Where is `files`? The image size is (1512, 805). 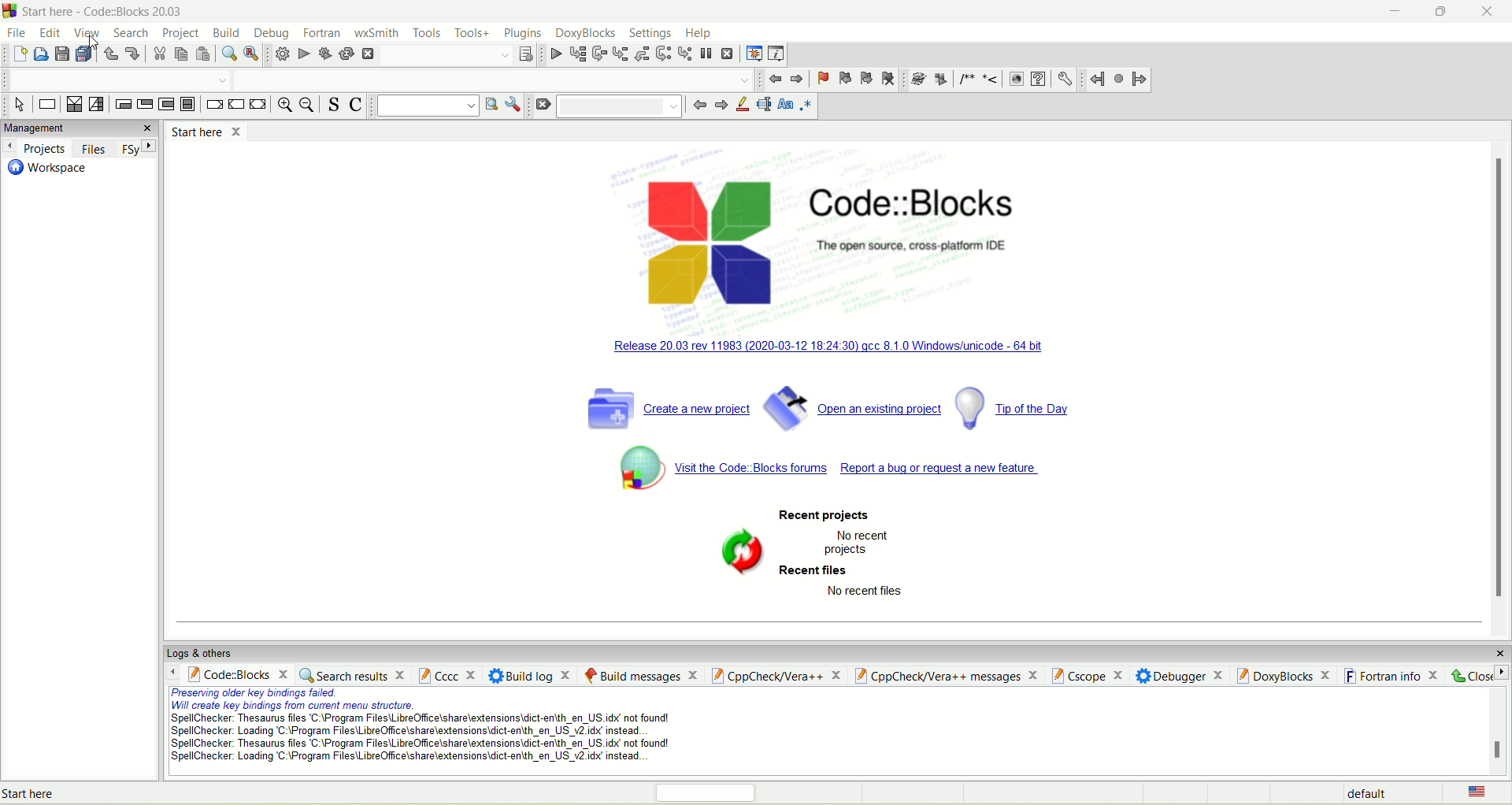
files is located at coordinates (92, 147).